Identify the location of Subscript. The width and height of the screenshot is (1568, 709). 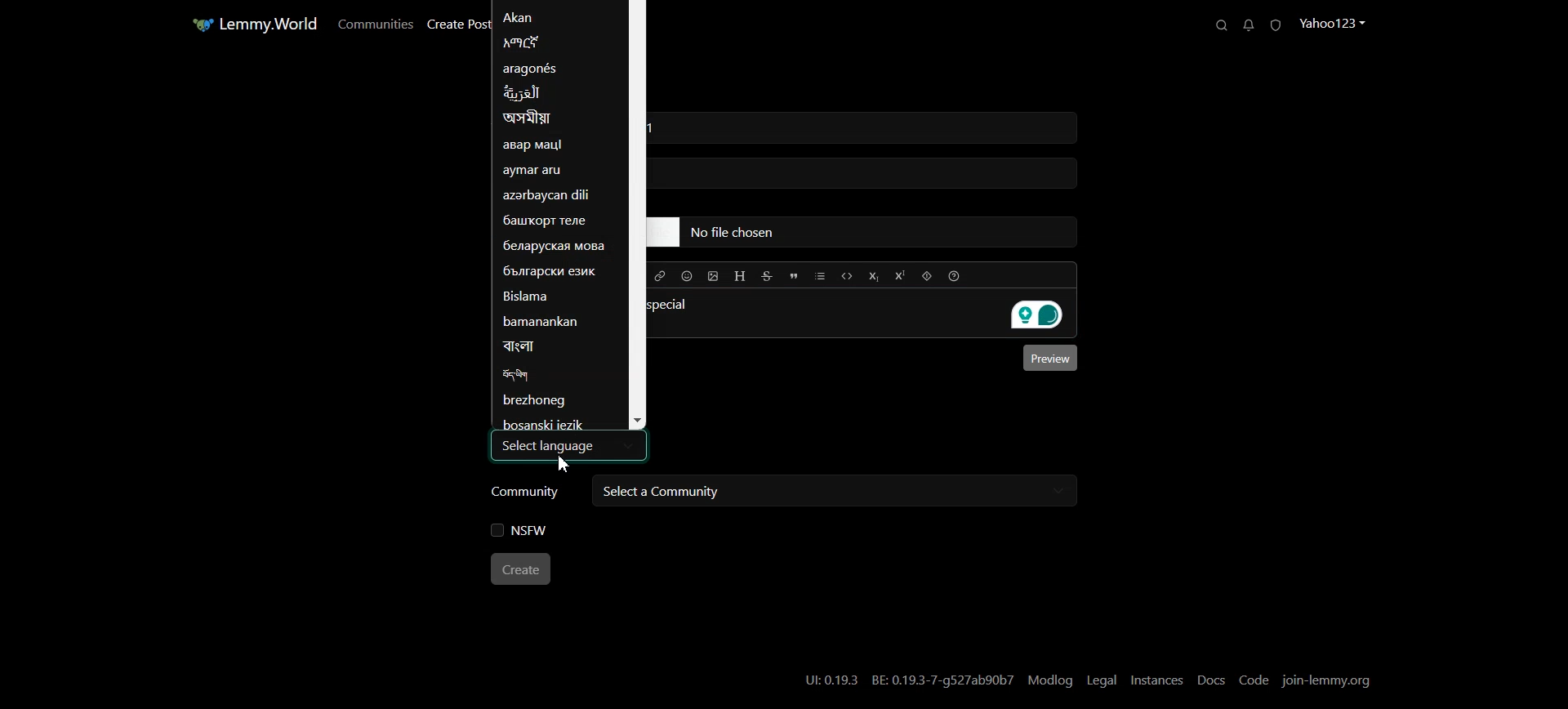
(875, 276).